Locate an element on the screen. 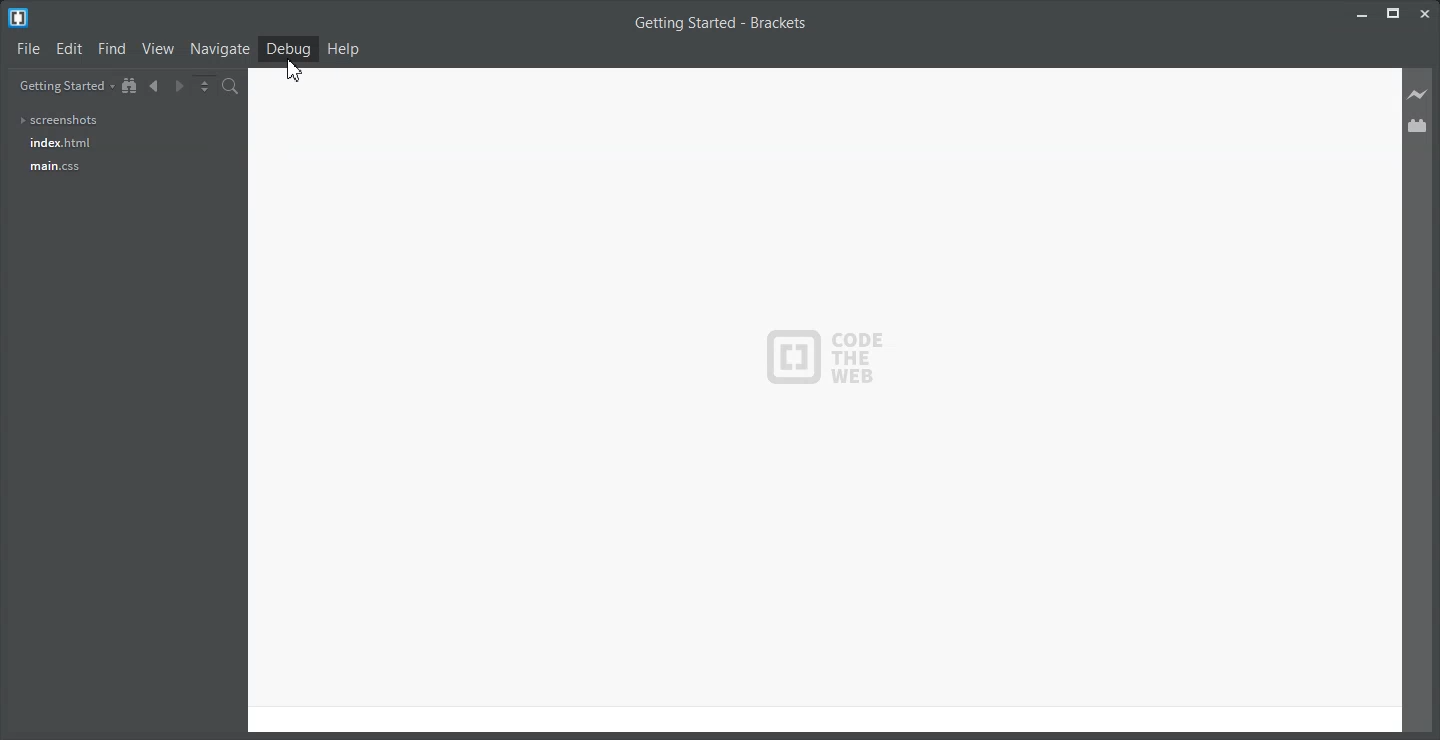  Debug is located at coordinates (289, 50).